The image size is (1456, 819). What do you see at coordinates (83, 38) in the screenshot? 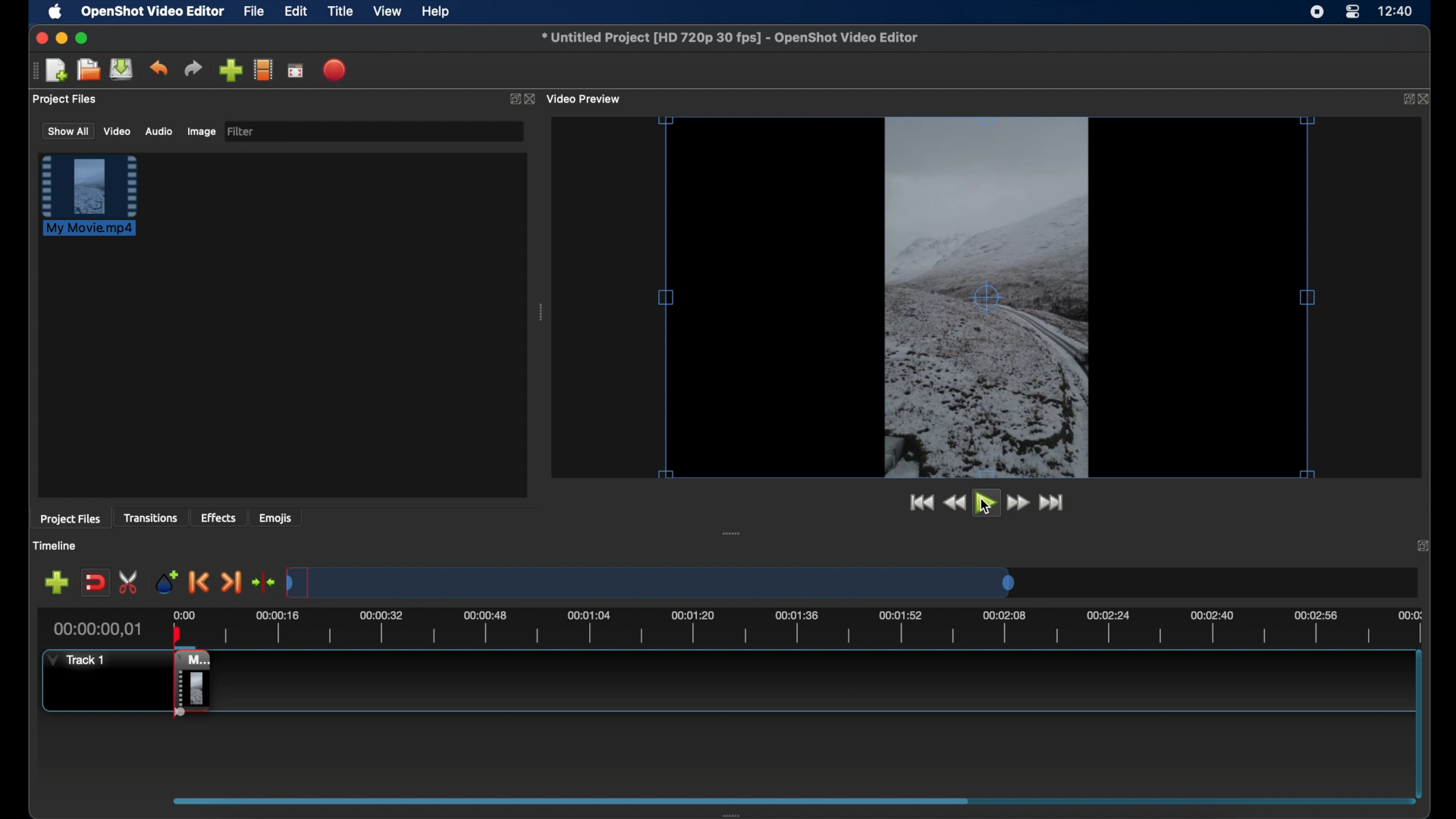
I see `maximize` at bounding box center [83, 38].